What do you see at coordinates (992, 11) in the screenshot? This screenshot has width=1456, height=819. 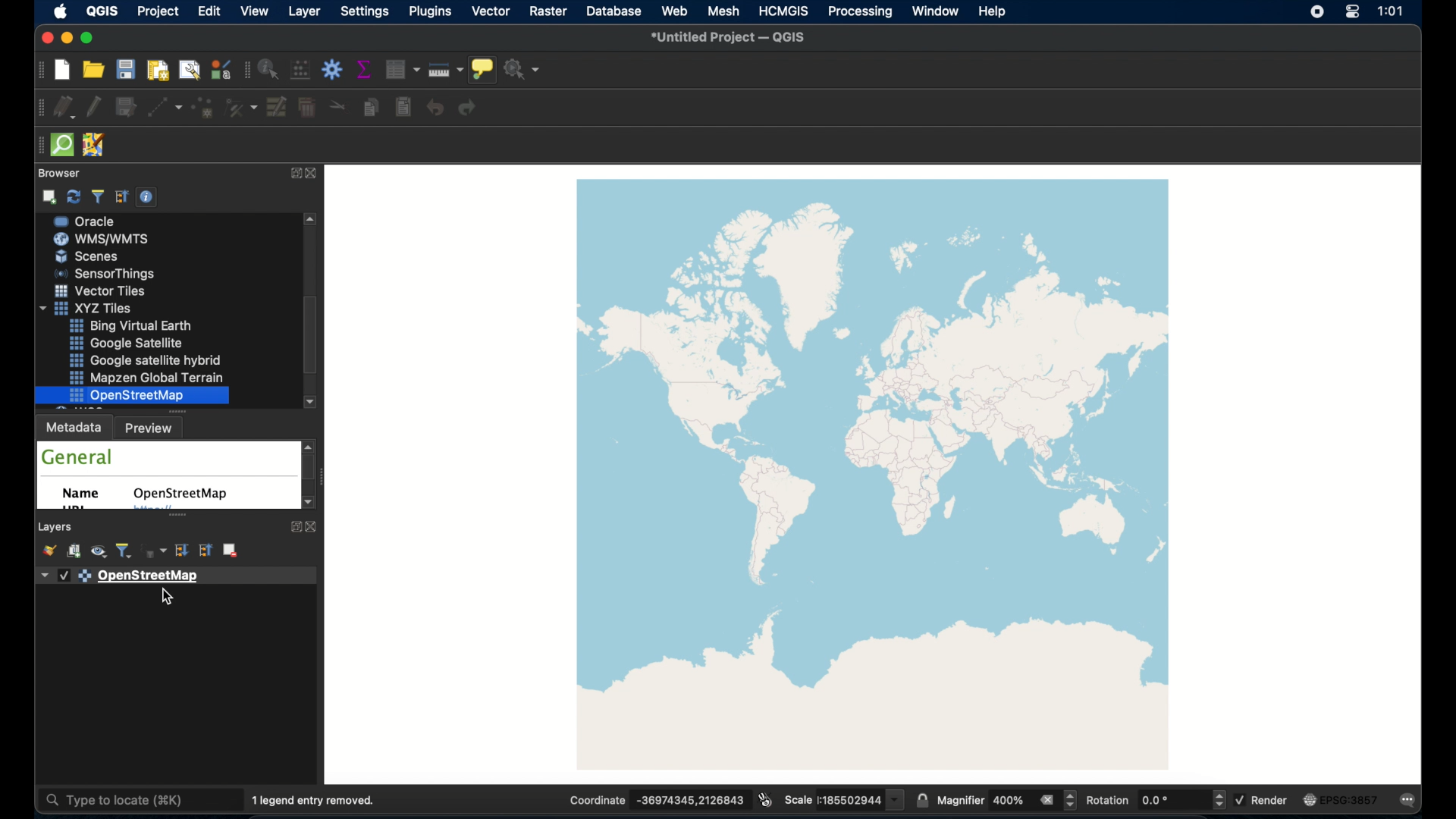 I see `help` at bounding box center [992, 11].